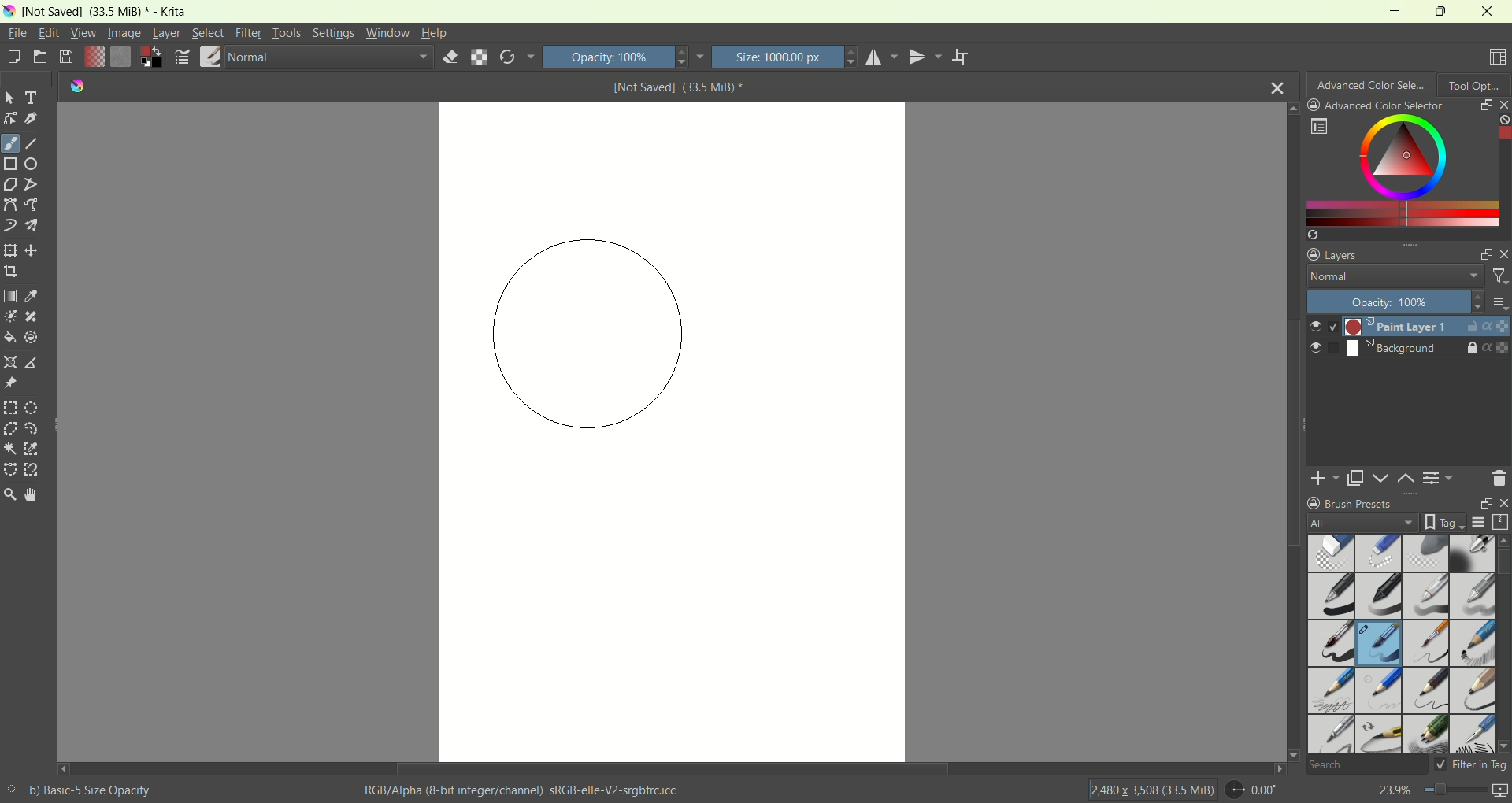  What do you see at coordinates (1336, 253) in the screenshot?
I see `layers` at bounding box center [1336, 253].